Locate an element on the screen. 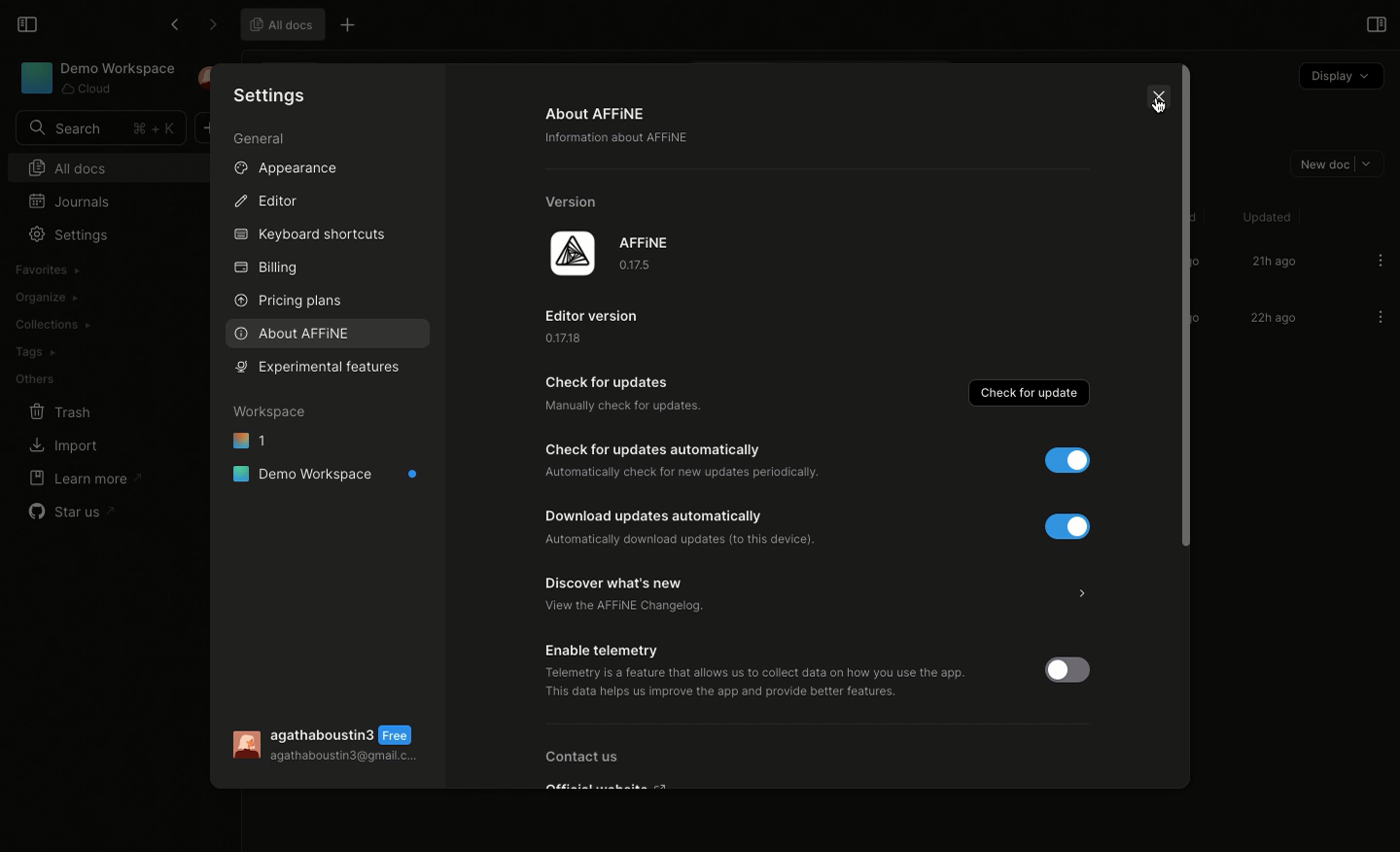 The image size is (1400, 852). Create workspace is located at coordinates (95, 296).